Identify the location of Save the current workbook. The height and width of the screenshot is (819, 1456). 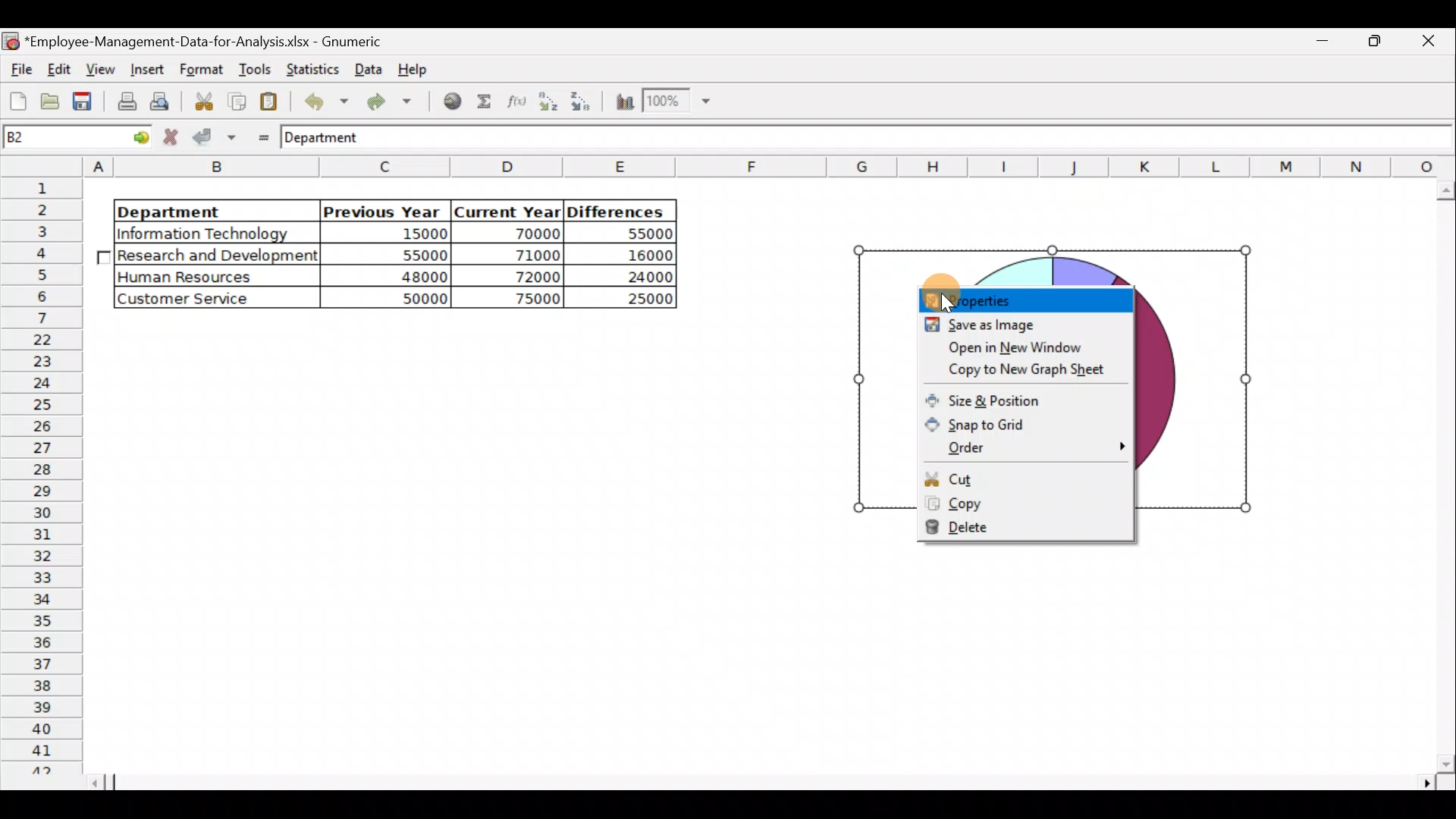
(83, 102).